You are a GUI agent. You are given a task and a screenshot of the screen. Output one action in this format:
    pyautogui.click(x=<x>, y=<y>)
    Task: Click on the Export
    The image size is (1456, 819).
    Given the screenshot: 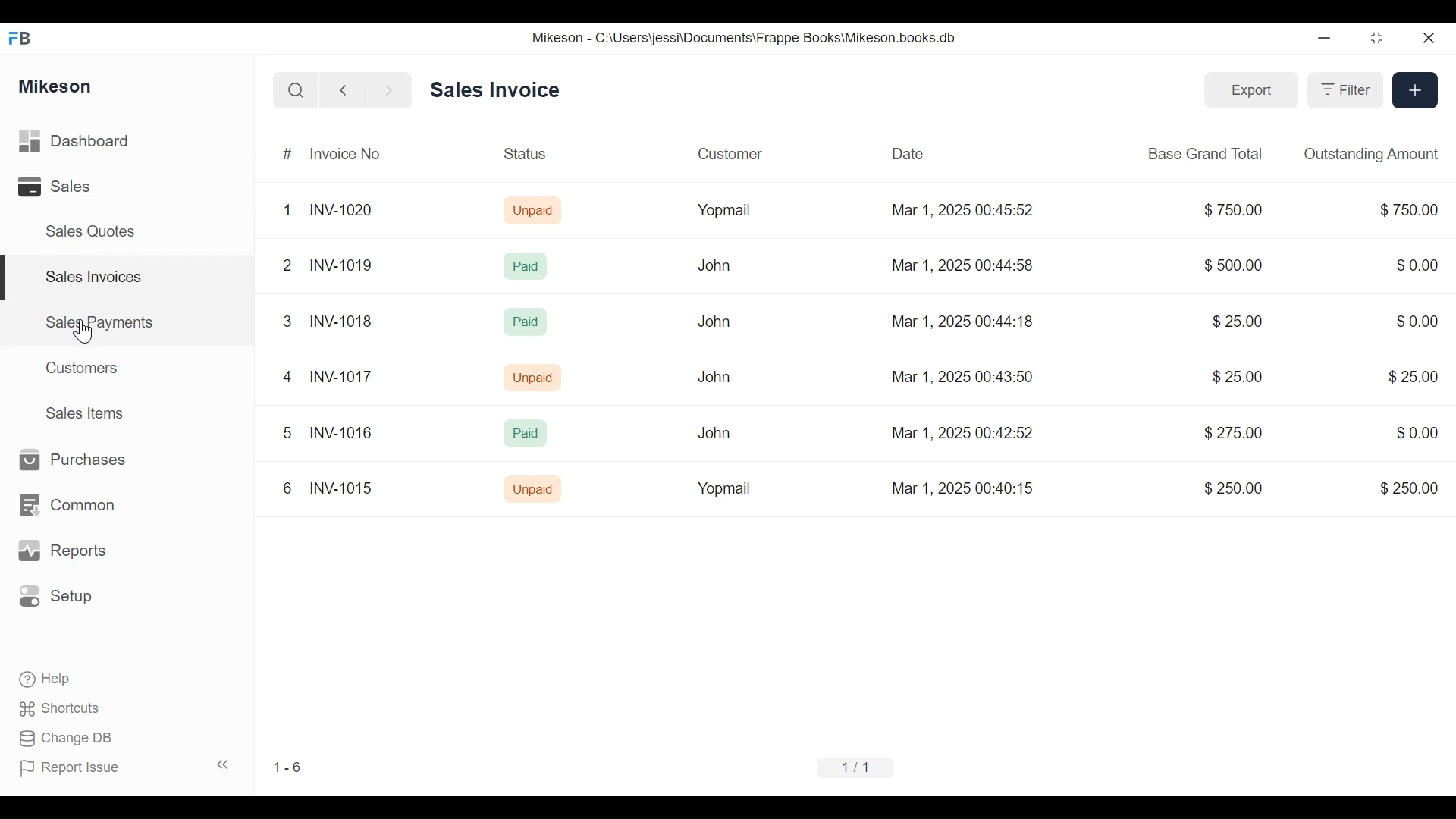 What is the action you would take?
    pyautogui.click(x=1249, y=89)
    